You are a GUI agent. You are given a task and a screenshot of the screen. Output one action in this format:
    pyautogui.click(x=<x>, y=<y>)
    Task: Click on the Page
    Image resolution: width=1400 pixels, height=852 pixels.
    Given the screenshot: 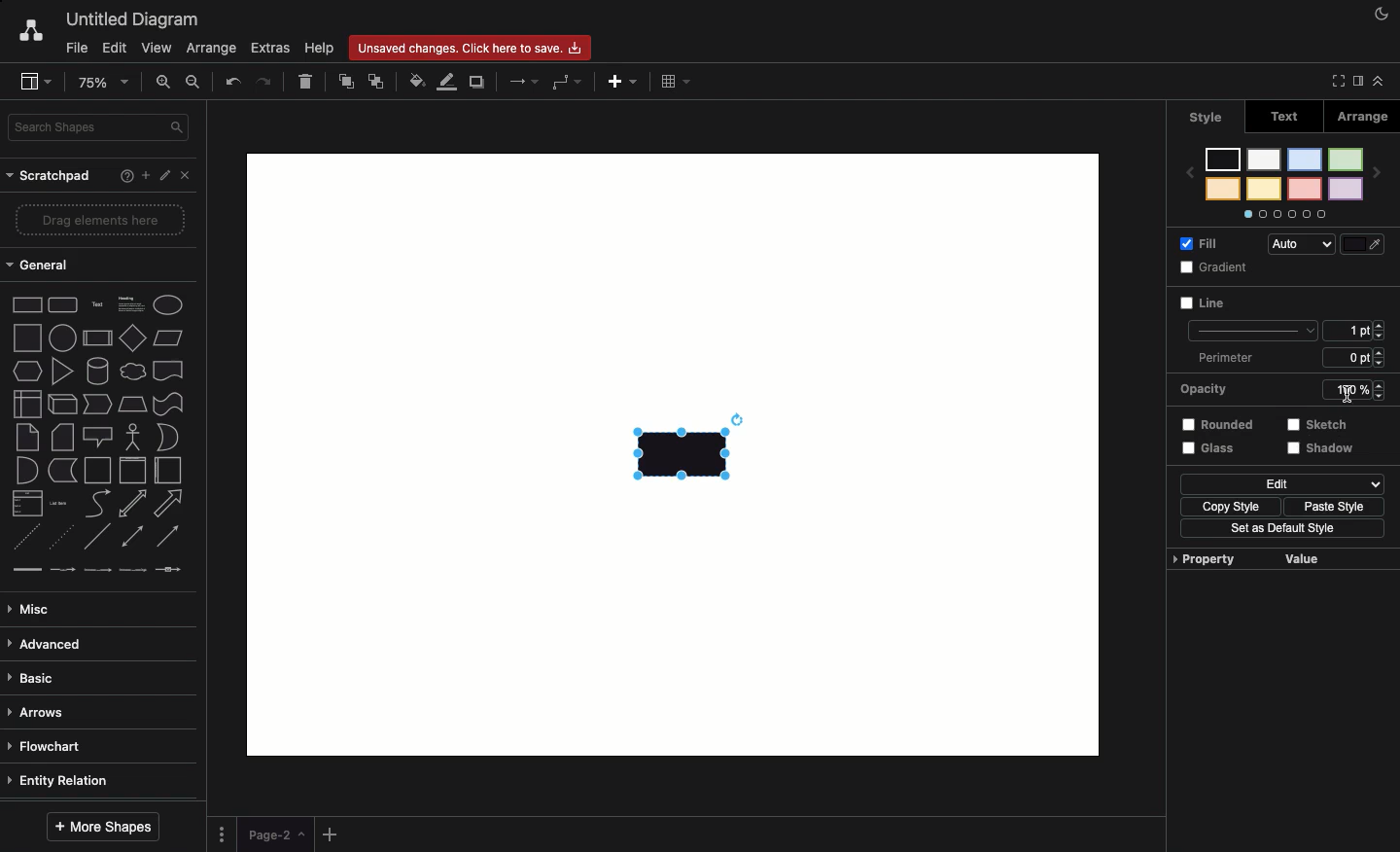 What is the action you would take?
    pyautogui.click(x=275, y=834)
    